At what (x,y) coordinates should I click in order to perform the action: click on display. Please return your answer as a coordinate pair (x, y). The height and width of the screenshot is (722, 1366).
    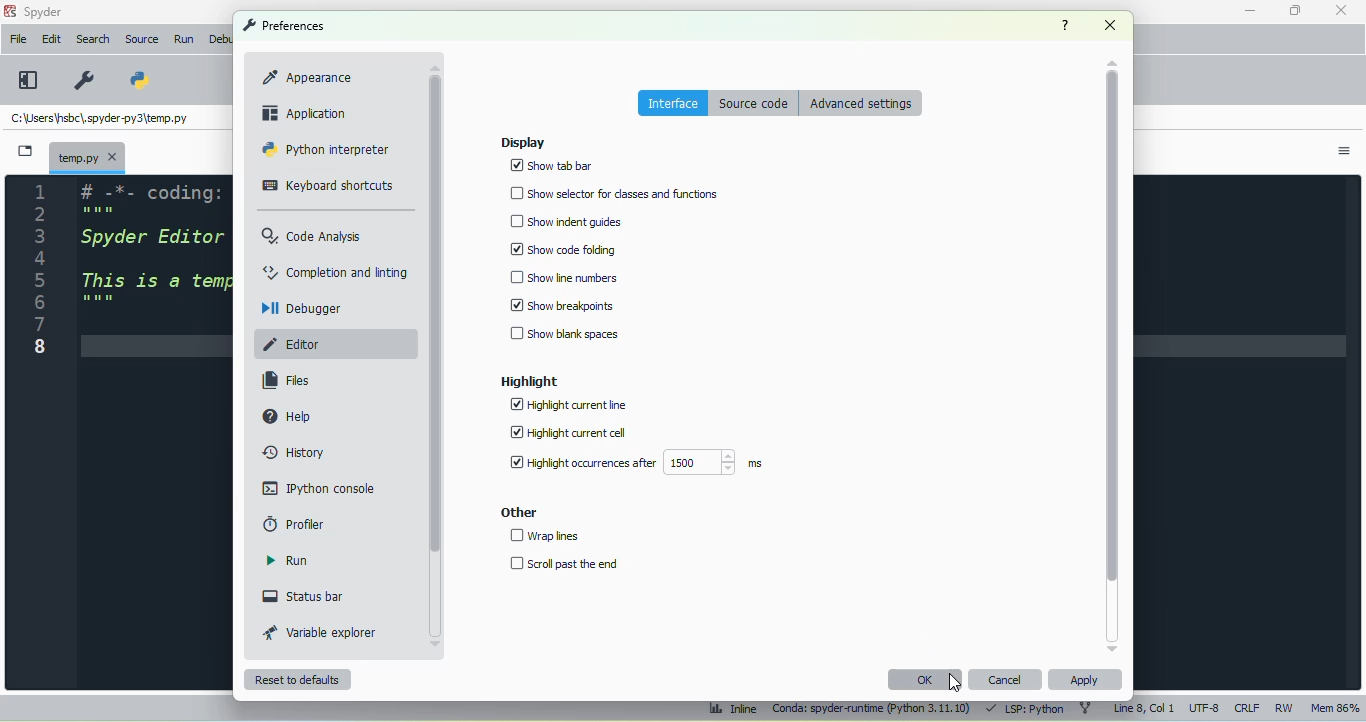
    Looking at the image, I should click on (523, 143).